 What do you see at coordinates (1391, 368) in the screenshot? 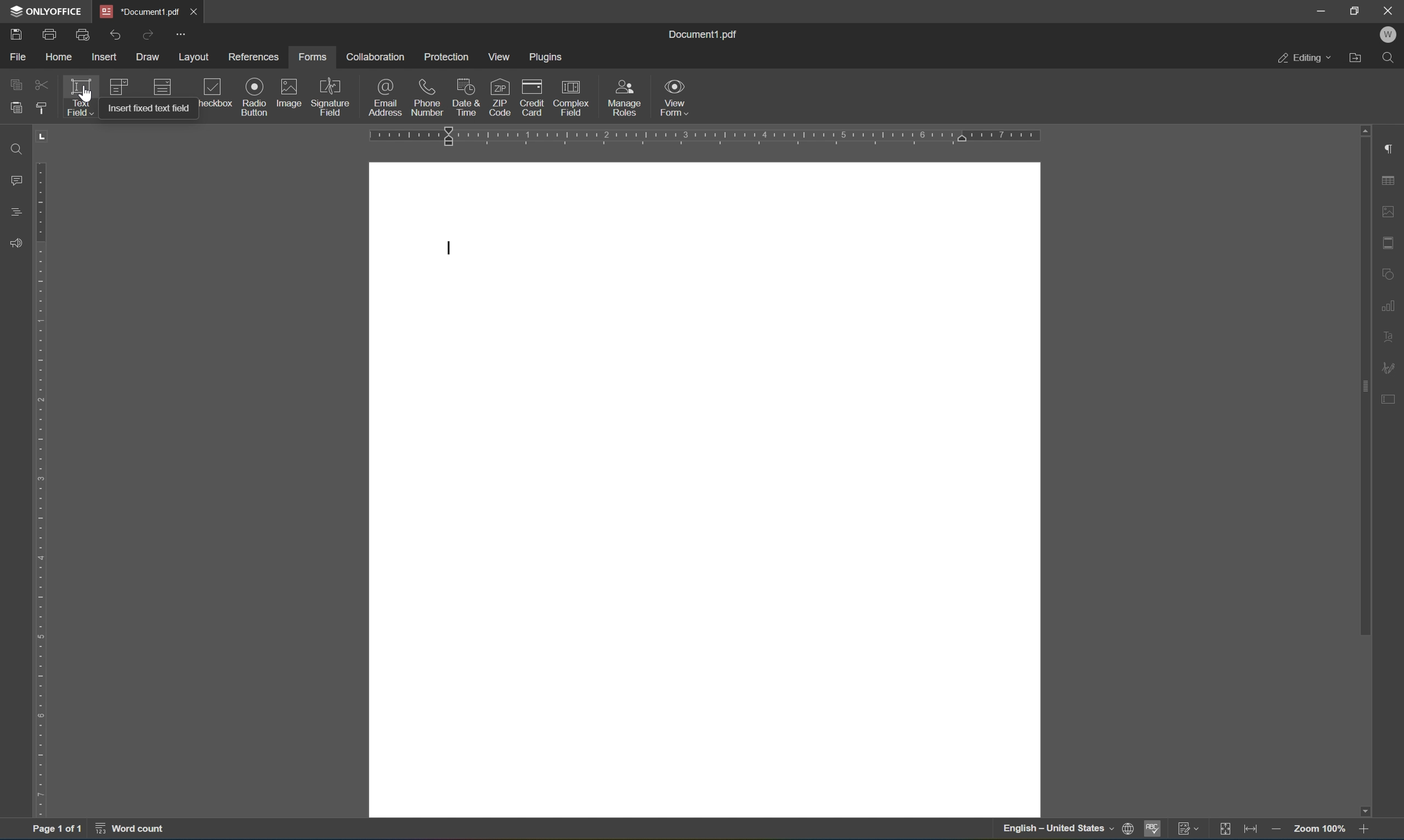
I see `signature settings` at bounding box center [1391, 368].